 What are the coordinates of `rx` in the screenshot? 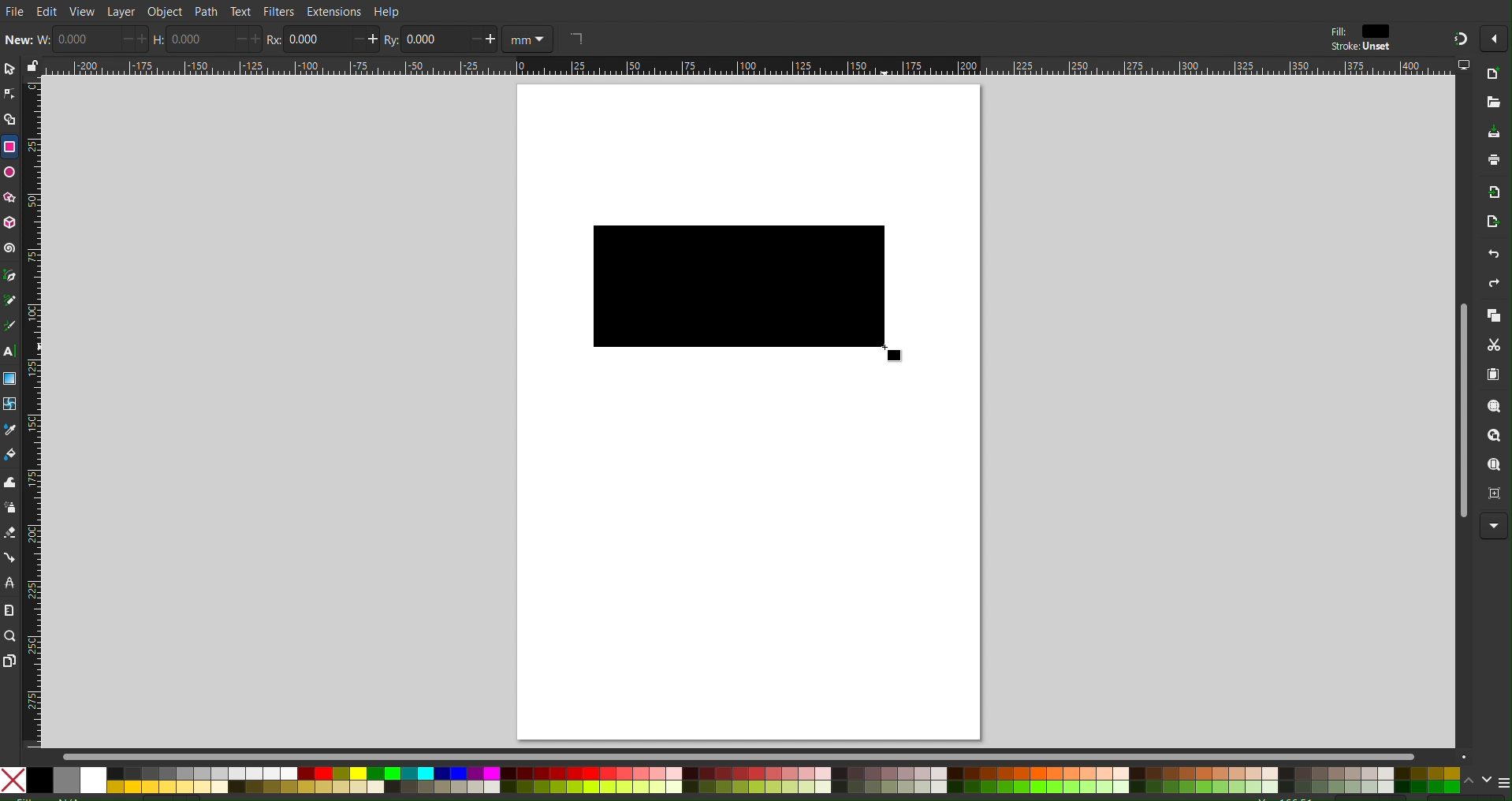 It's located at (274, 40).